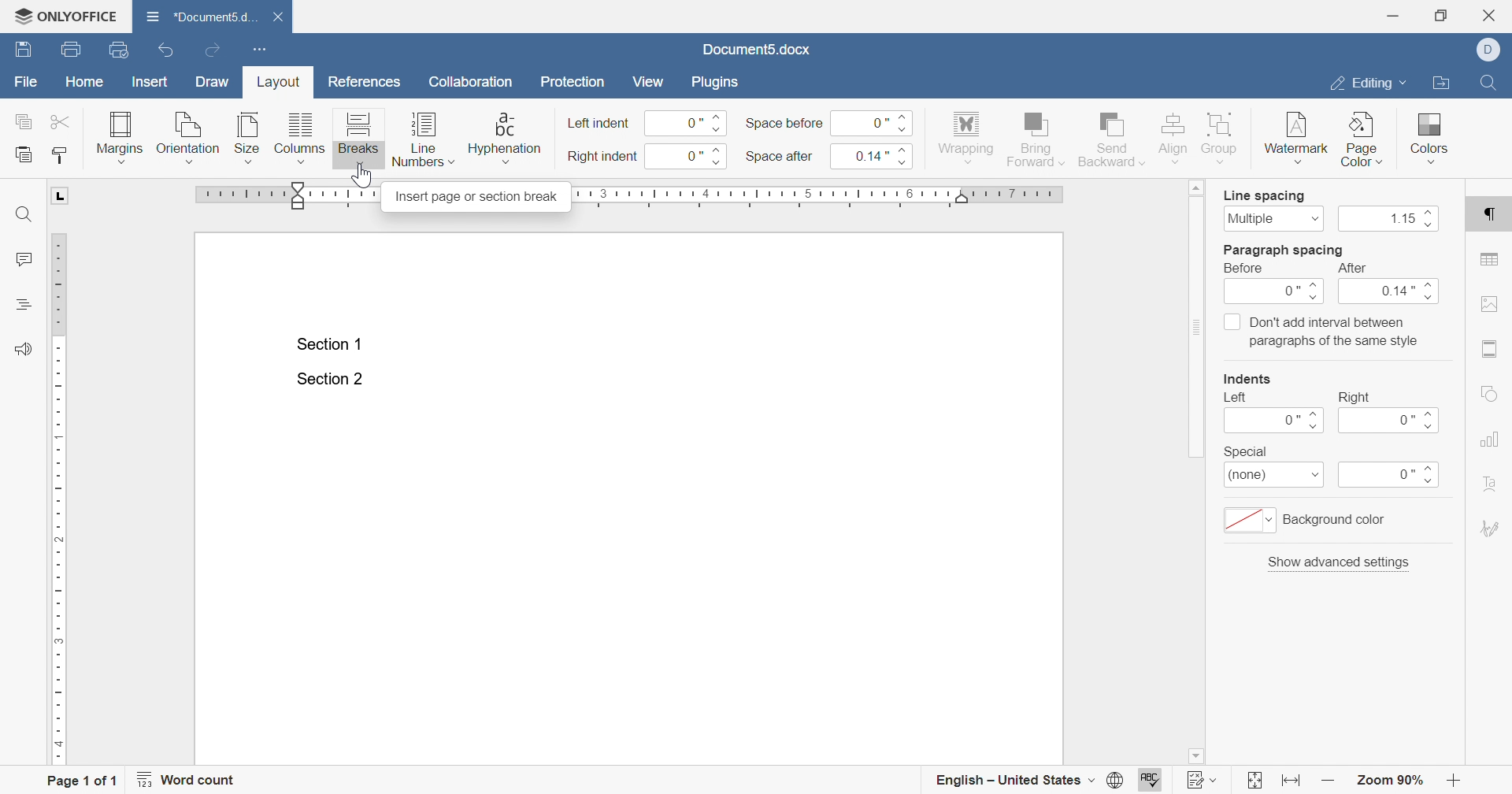 The image size is (1512, 794). Describe the element at coordinates (213, 81) in the screenshot. I see `draw` at that location.